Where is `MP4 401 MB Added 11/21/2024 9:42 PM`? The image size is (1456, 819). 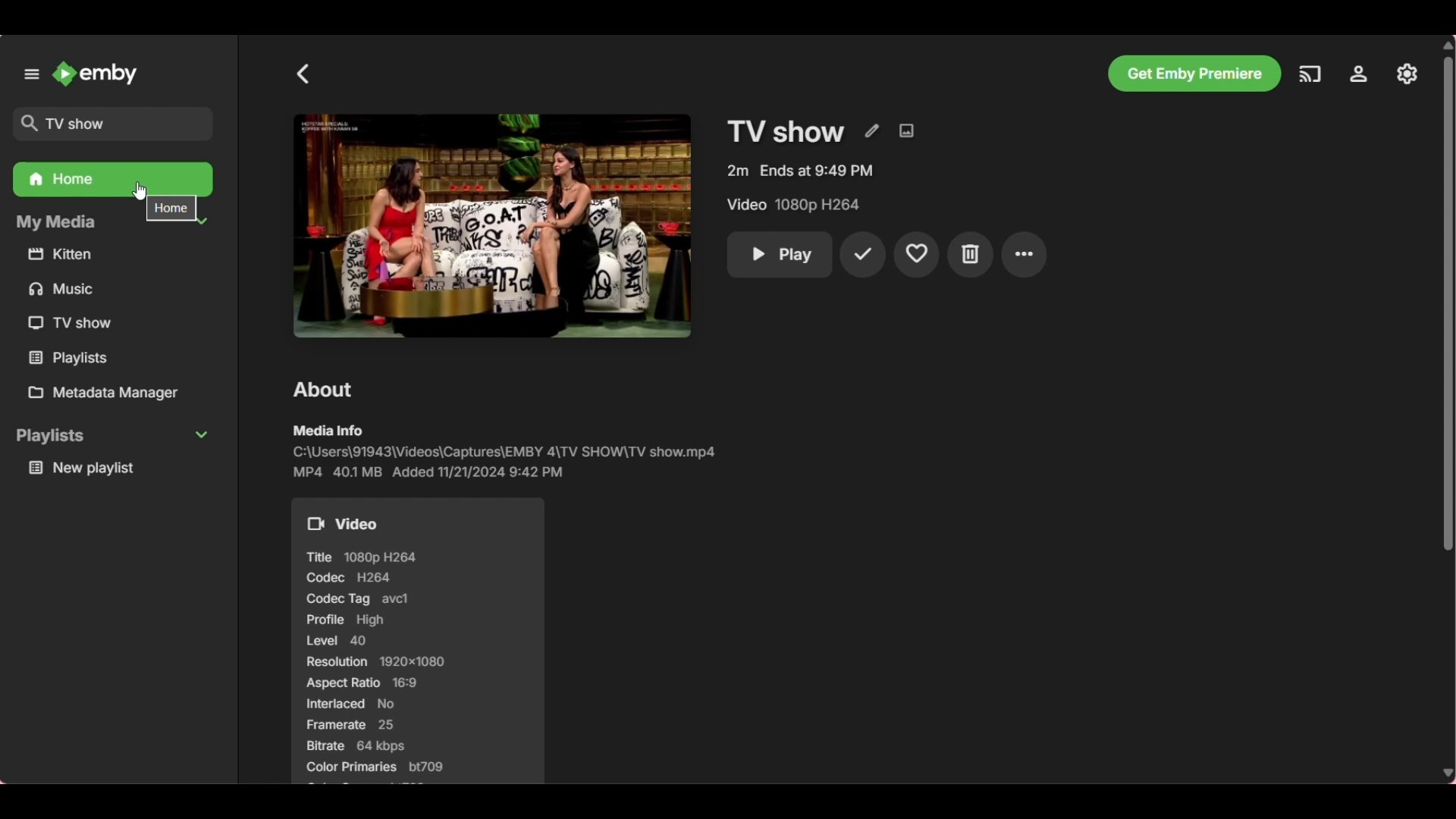 MP4 401 MB Added 11/21/2024 9:42 PM is located at coordinates (433, 472).